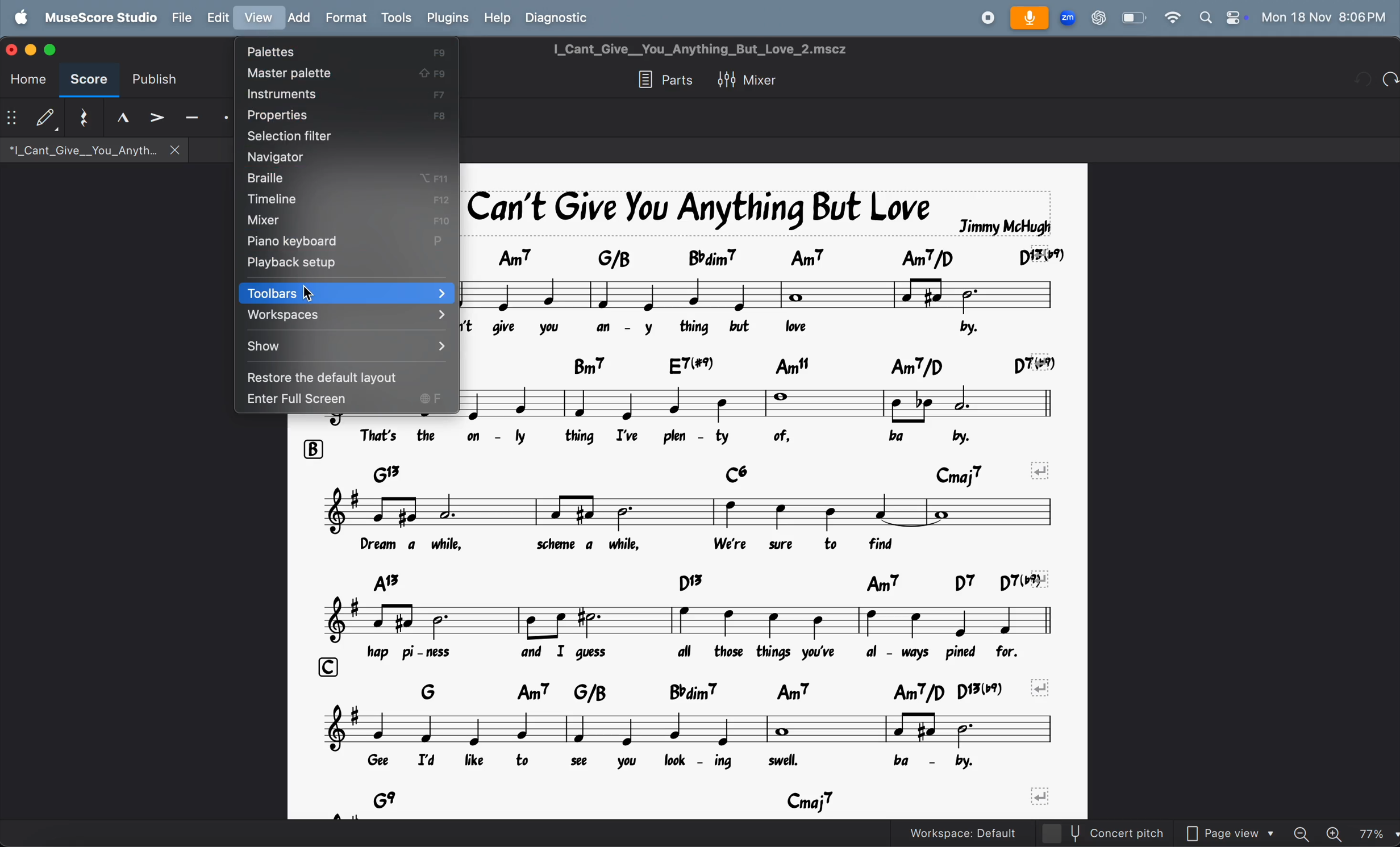 This screenshot has height=847, width=1400. Describe the element at coordinates (118, 119) in the screenshot. I see `tenuto` at that location.